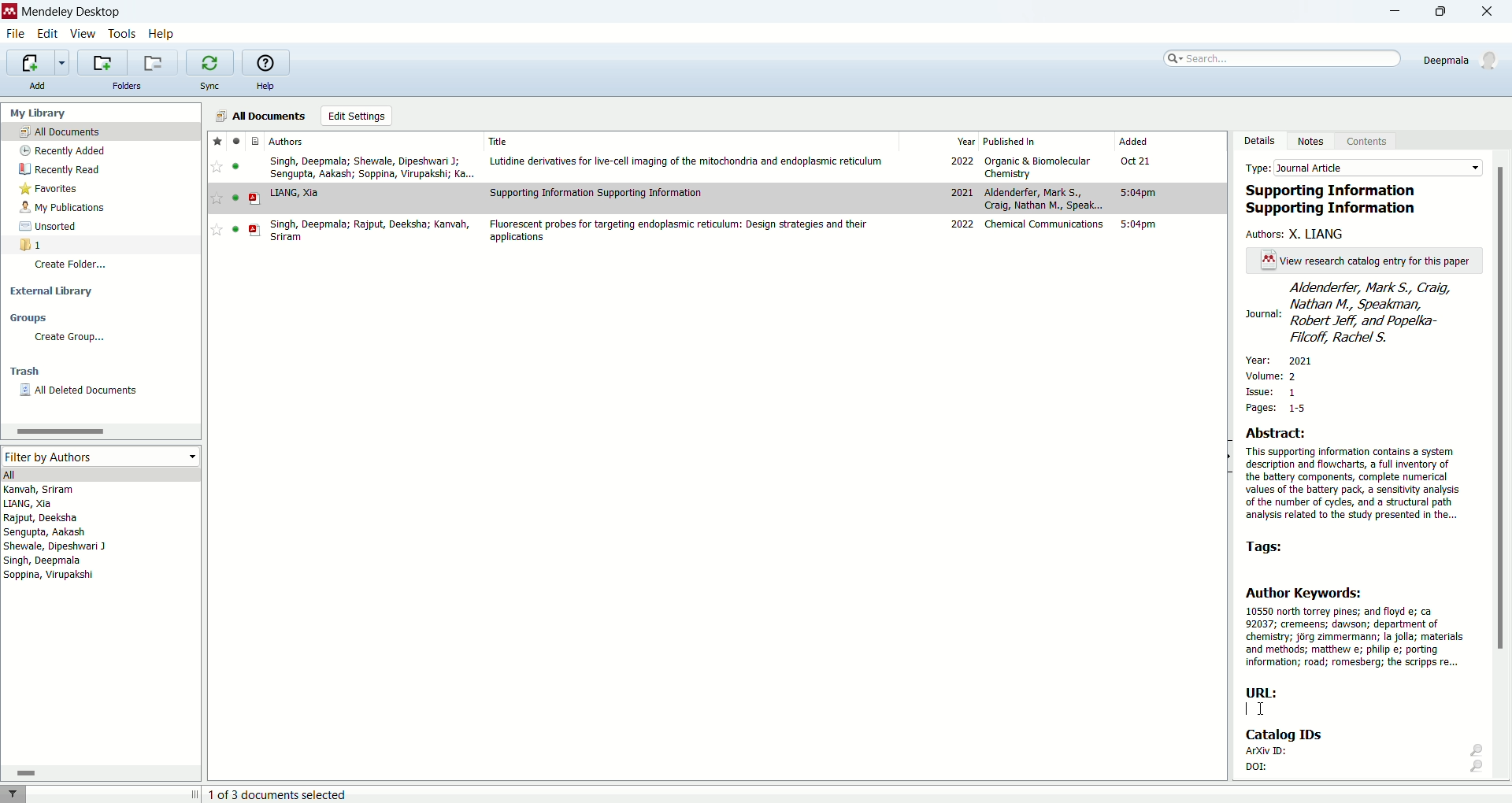 The height and width of the screenshot is (803, 1512). What do you see at coordinates (1353, 474) in the screenshot?
I see `Abstract:This supporting information contains a system description and flowcharts, a full inventory of the battery components, complete numerical values of the battery pack, a sensitivity analysis of the number of cycles, and a structural path analysis related to the study presented in the...` at bounding box center [1353, 474].